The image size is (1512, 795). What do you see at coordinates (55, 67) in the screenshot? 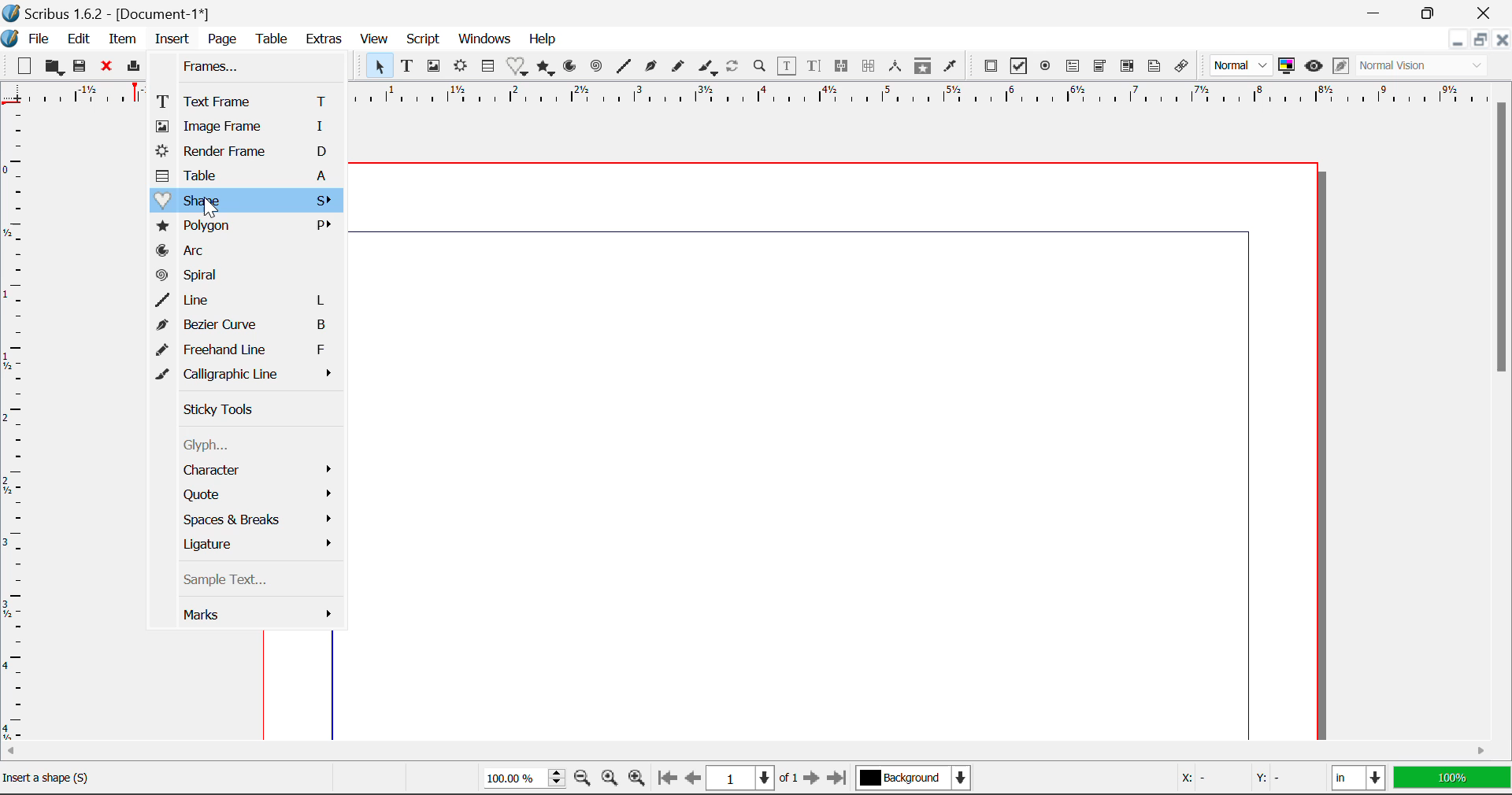
I see `Open` at bounding box center [55, 67].